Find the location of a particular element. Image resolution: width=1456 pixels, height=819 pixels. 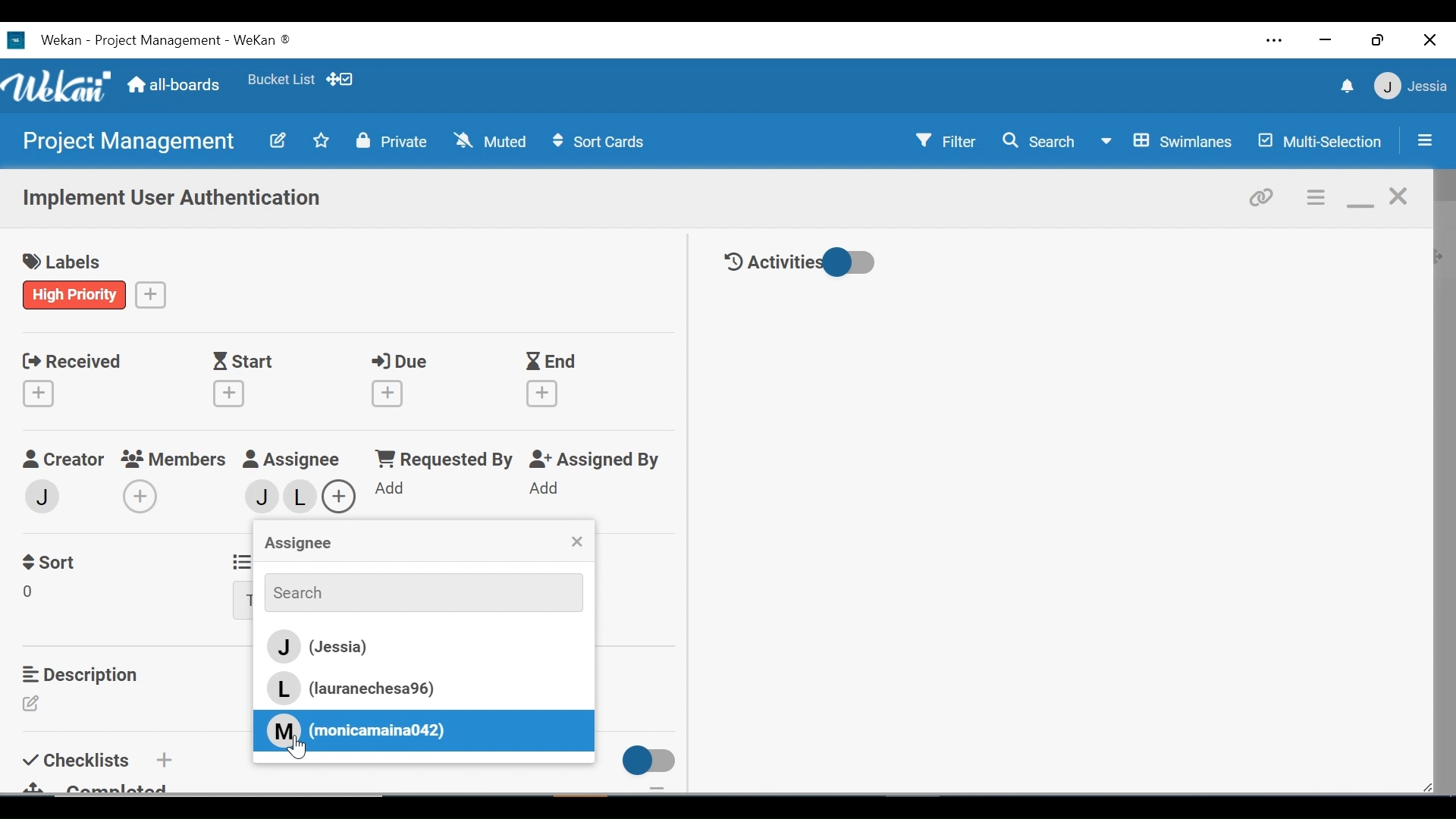

Member is located at coordinates (43, 495).